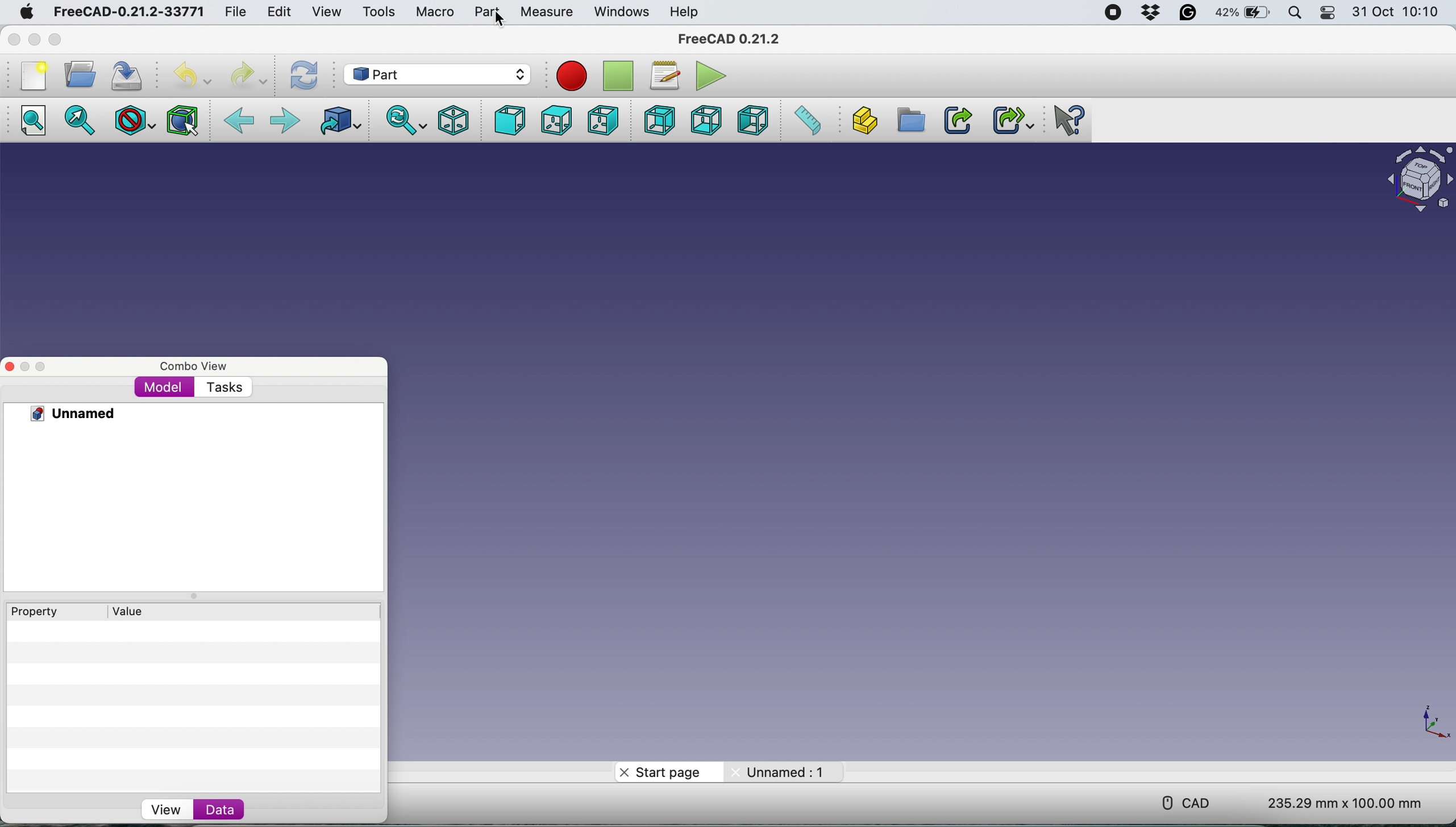 The width and height of the screenshot is (1456, 827). Describe the element at coordinates (45, 365) in the screenshot. I see `Maximize` at that location.